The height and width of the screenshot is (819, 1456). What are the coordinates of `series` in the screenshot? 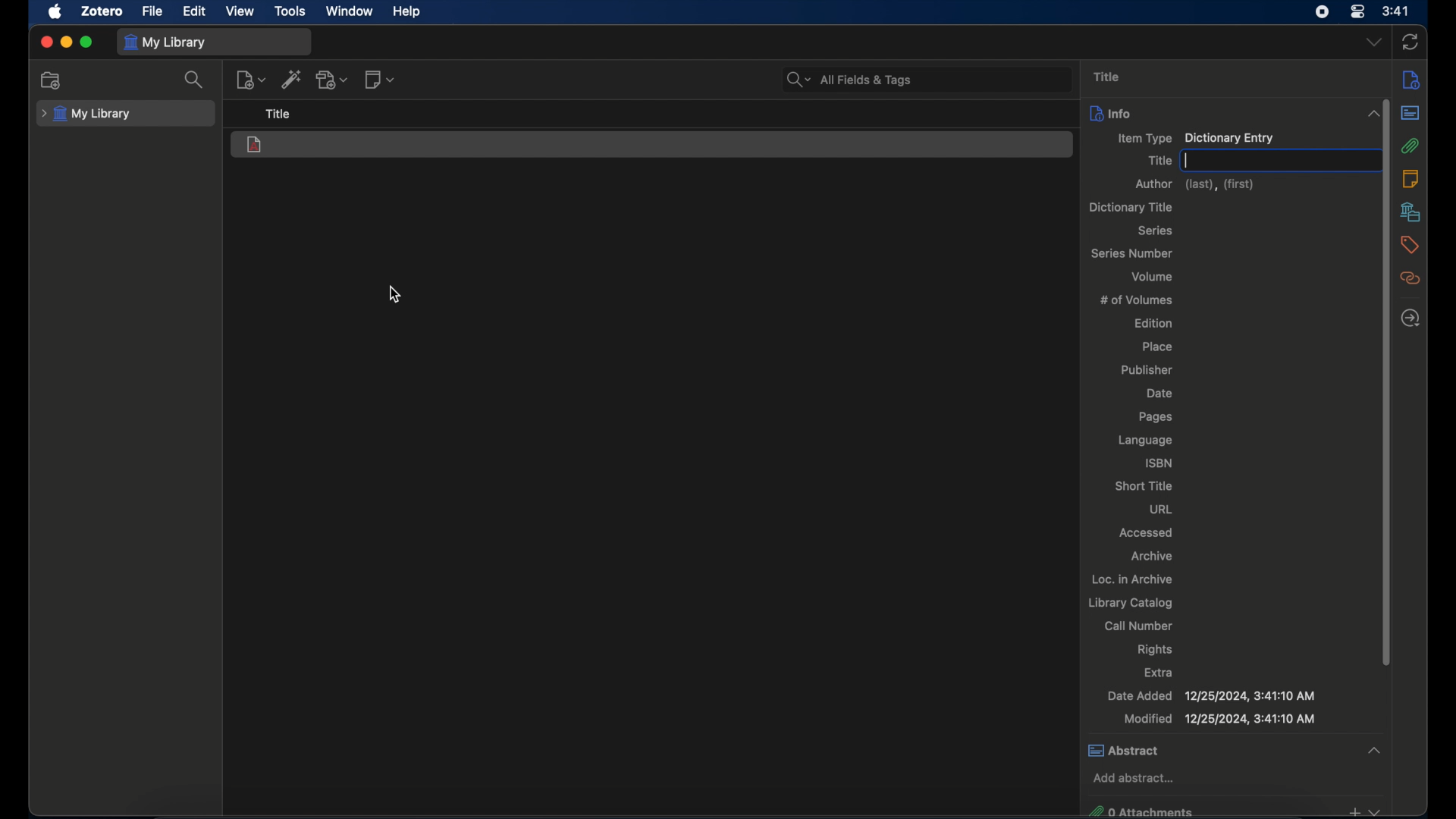 It's located at (1157, 231).